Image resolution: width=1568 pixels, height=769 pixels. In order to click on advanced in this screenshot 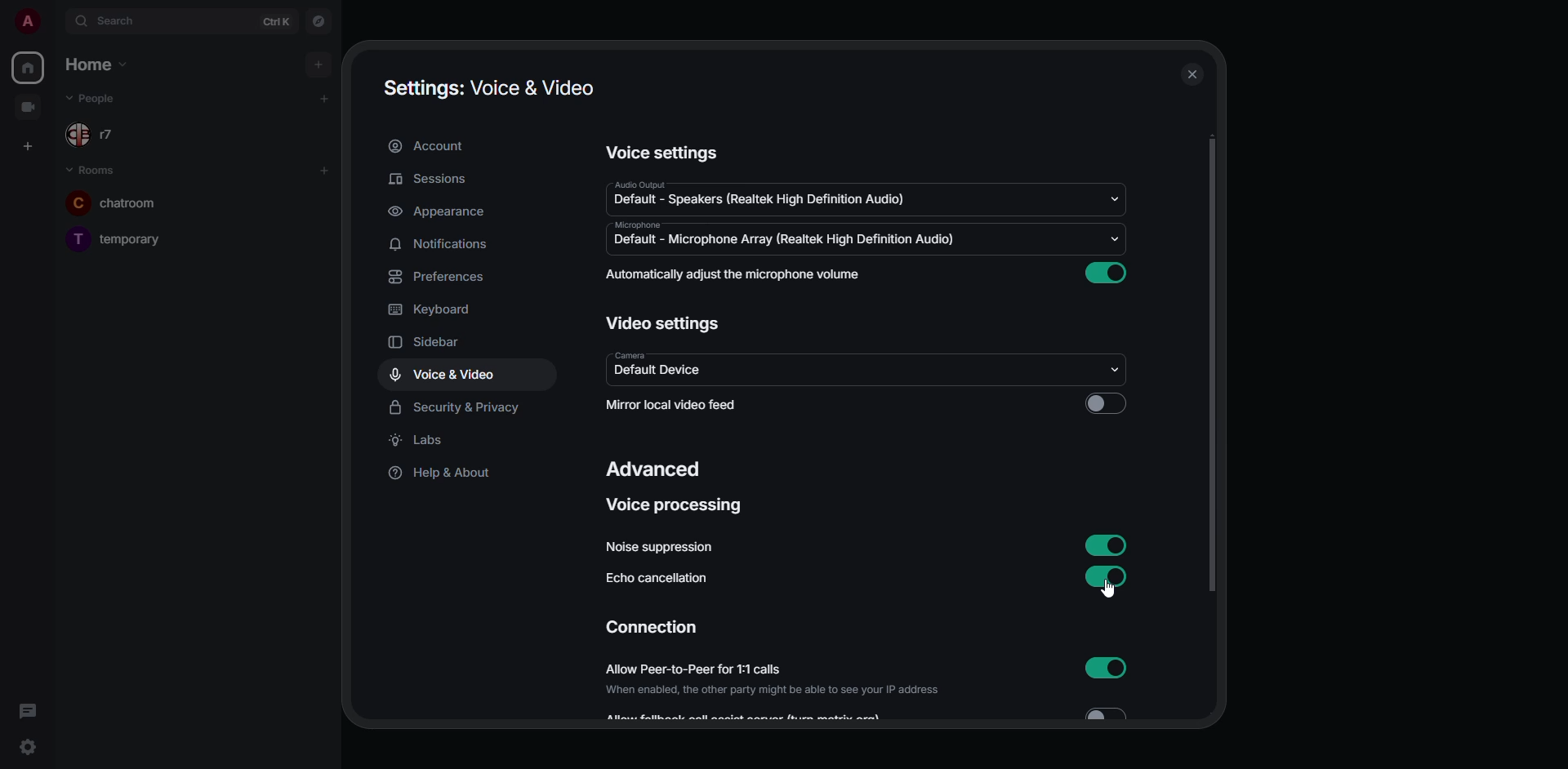, I will do `click(657, 471)`.